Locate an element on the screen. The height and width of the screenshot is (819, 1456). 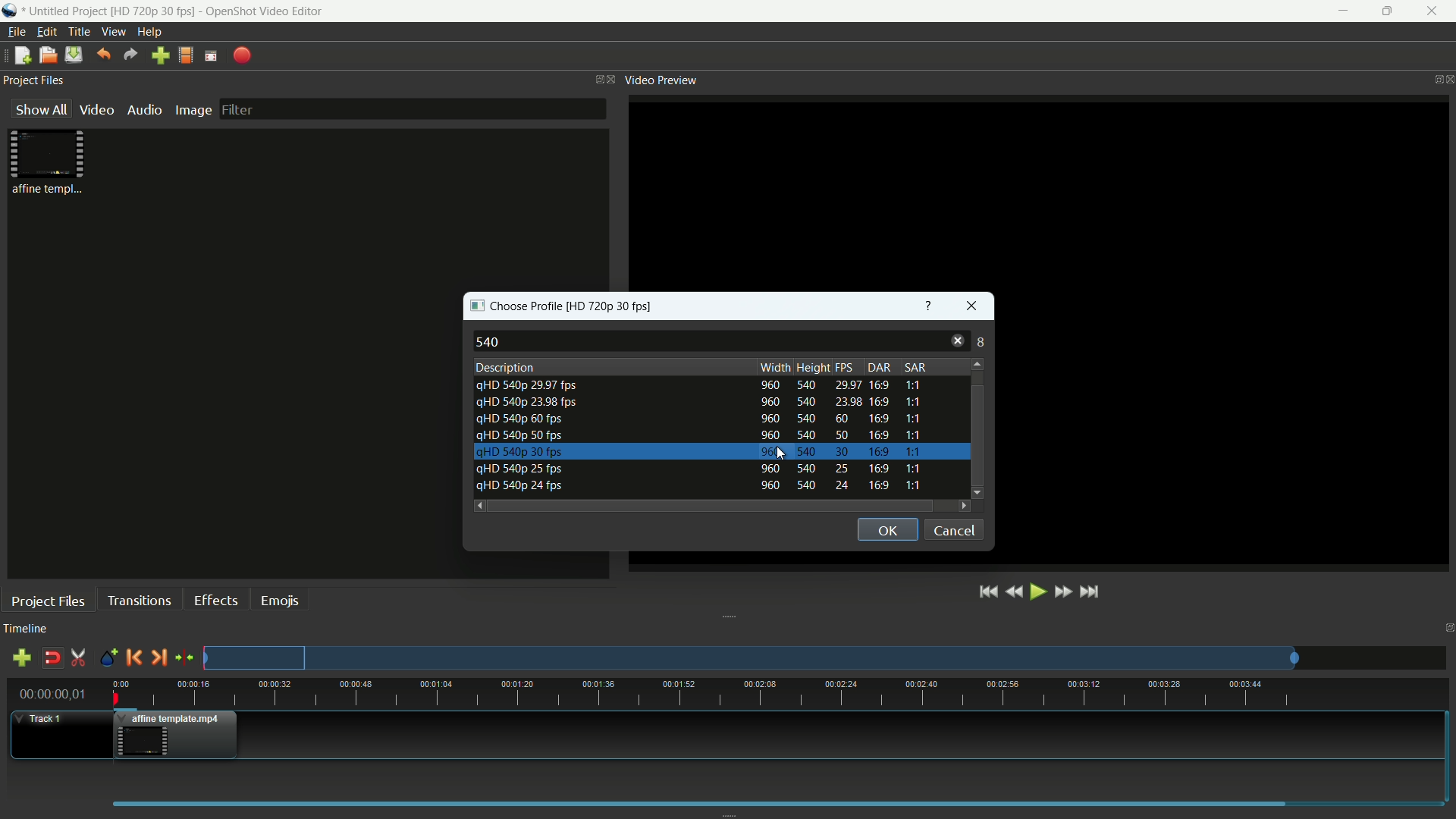
center the timeline on the playhead is located at coordinates (184, 657).